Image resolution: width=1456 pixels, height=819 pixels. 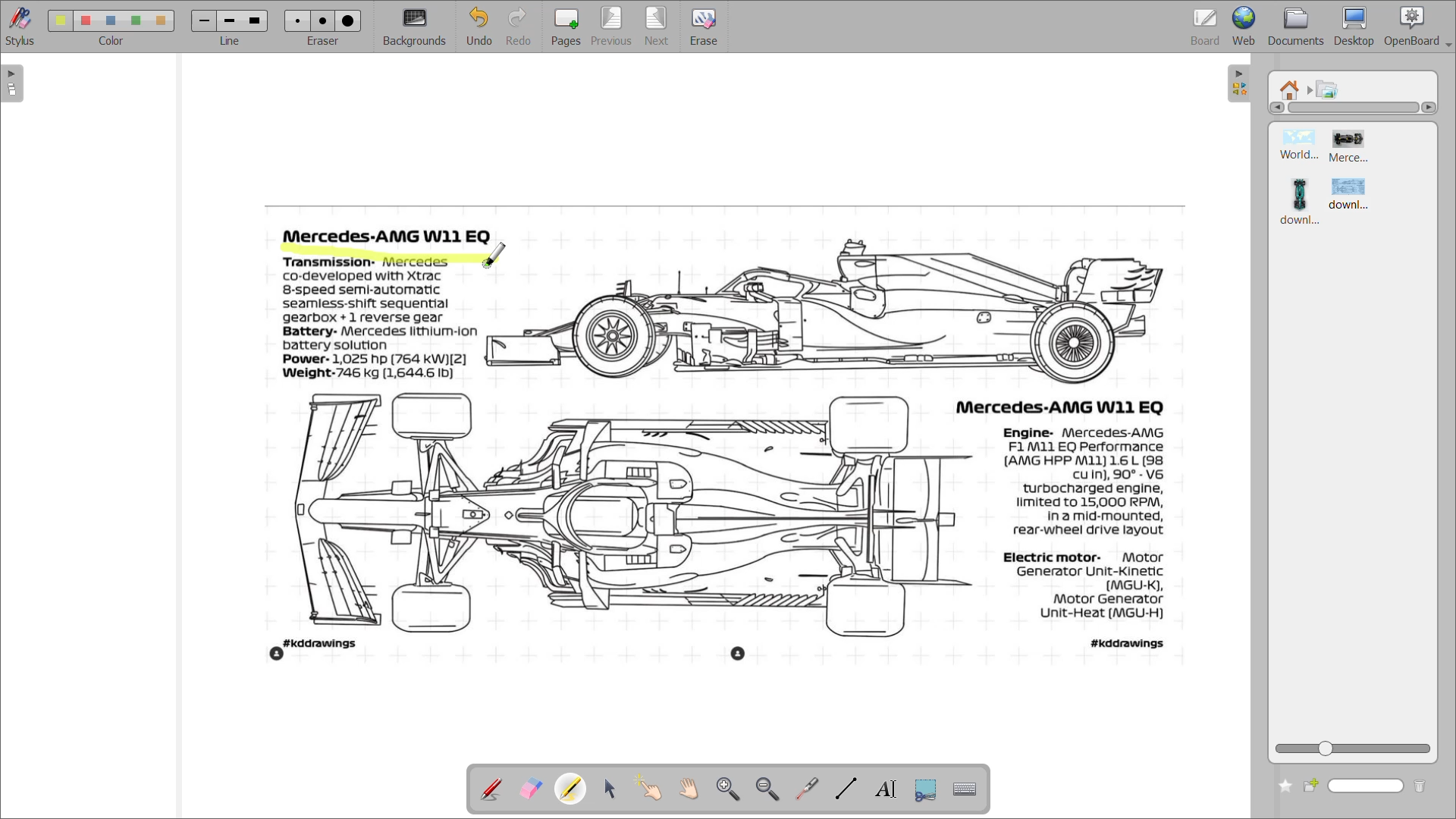 What do you see at coordinates (1351, 195) in the screenshot?
I see `image 4` at bounding box center [1351, 195].